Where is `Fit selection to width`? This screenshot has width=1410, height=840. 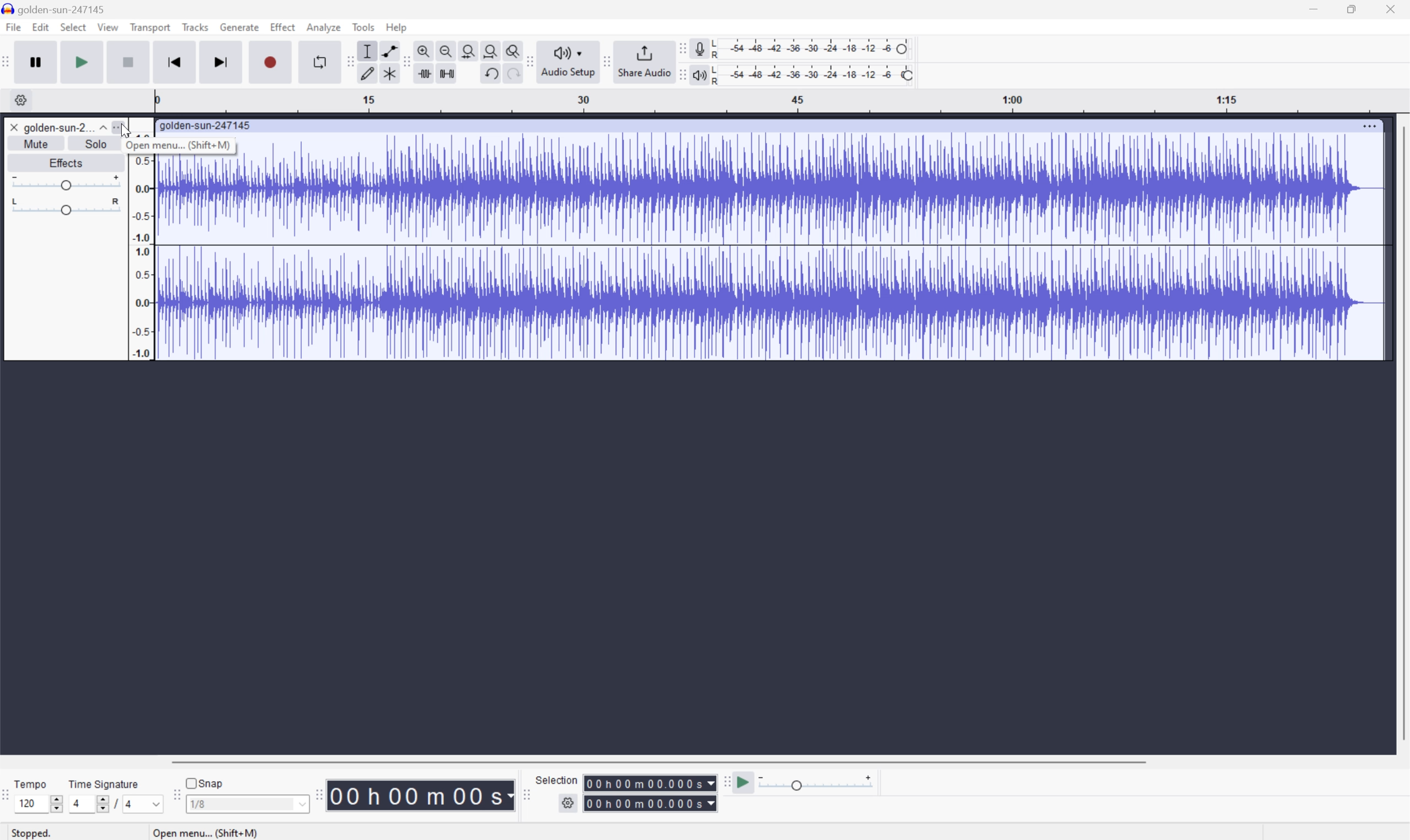
Fit selection to width is located at coordinates (466, 49).